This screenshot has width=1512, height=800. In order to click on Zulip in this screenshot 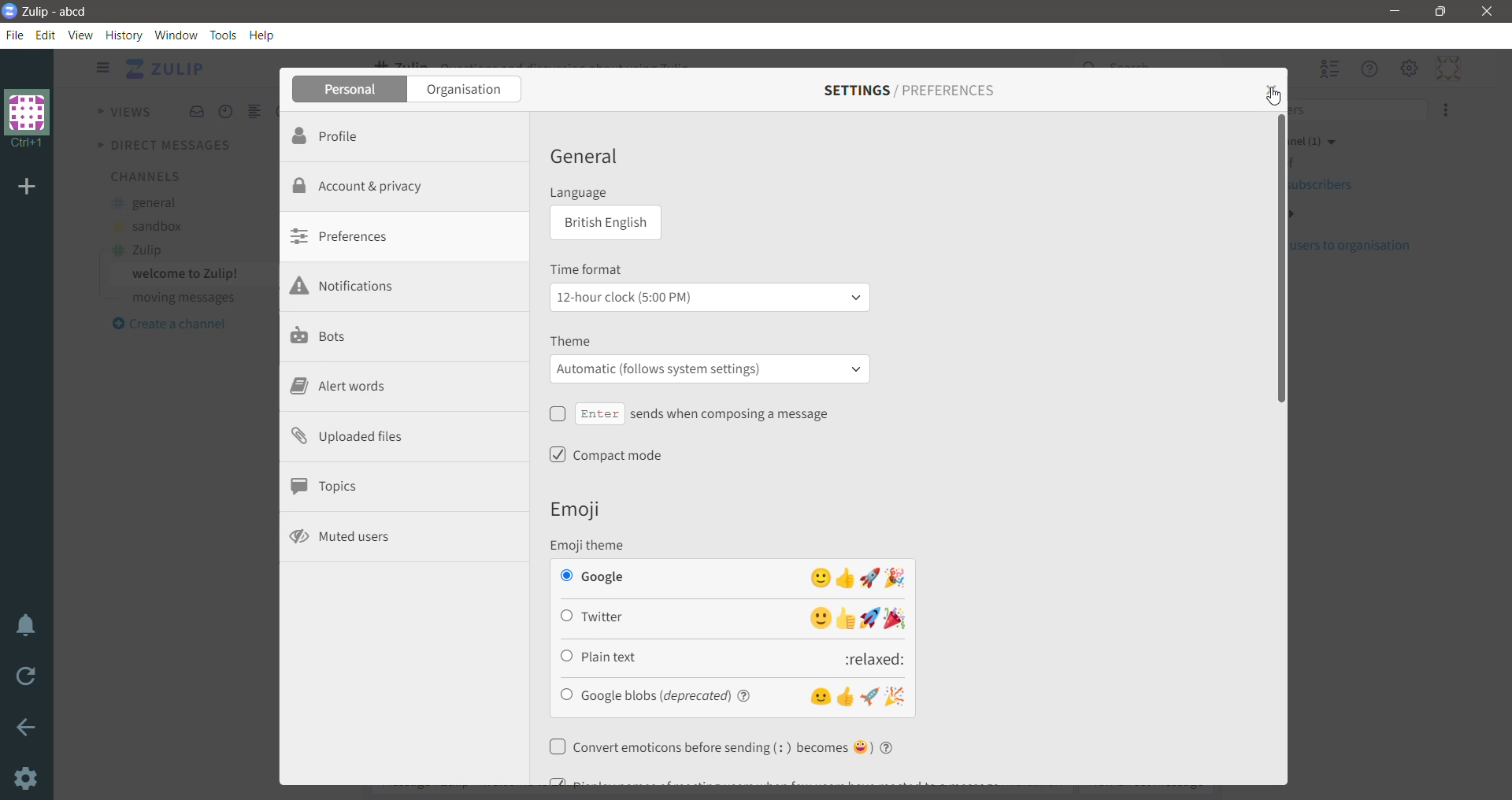, I will do `click(139, 252)`.